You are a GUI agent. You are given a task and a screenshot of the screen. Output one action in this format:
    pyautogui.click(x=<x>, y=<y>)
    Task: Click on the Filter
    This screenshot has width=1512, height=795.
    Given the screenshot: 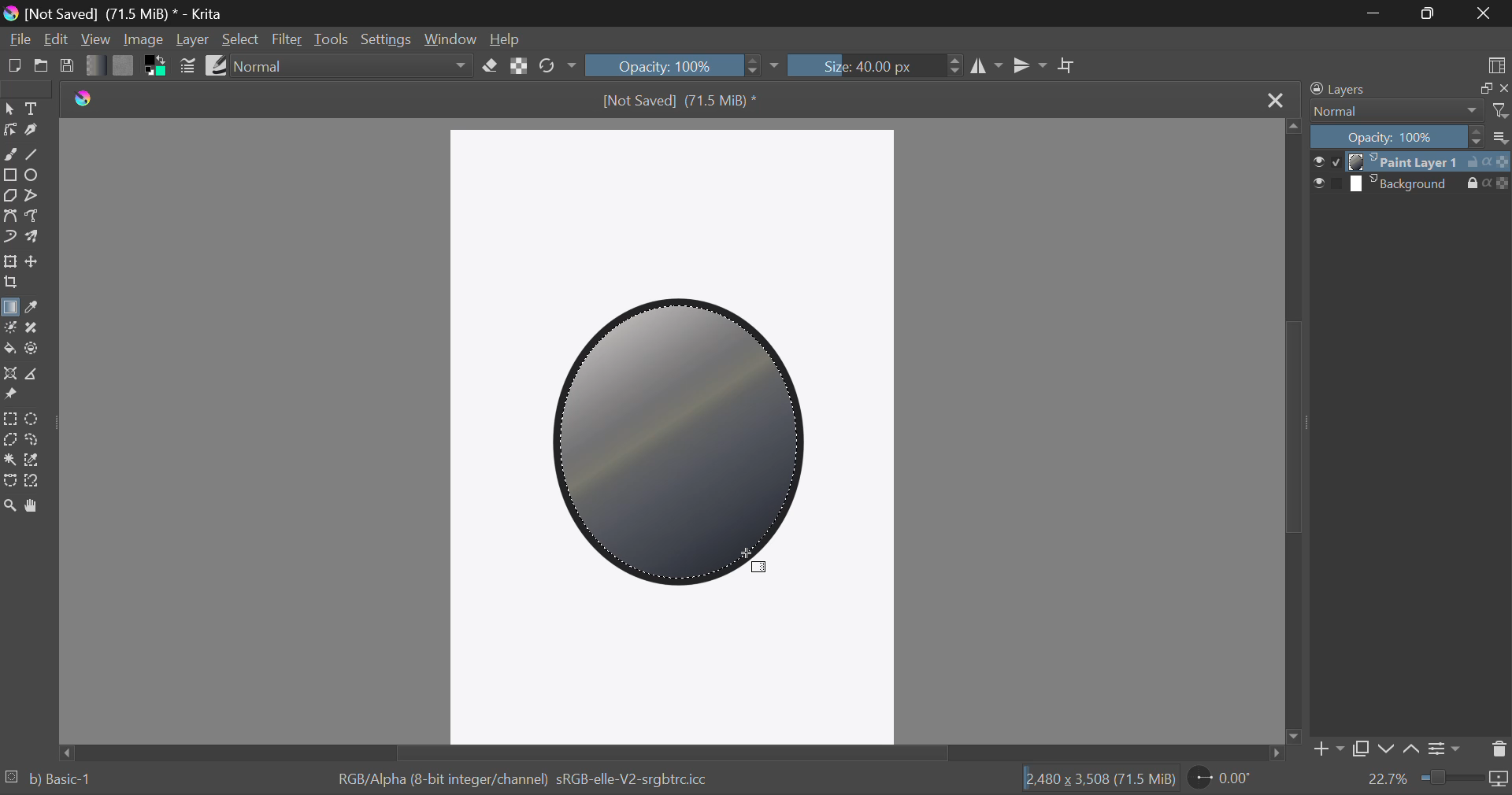 What is the action you would take?
    pyautogui.click(x=287, y=39)
    